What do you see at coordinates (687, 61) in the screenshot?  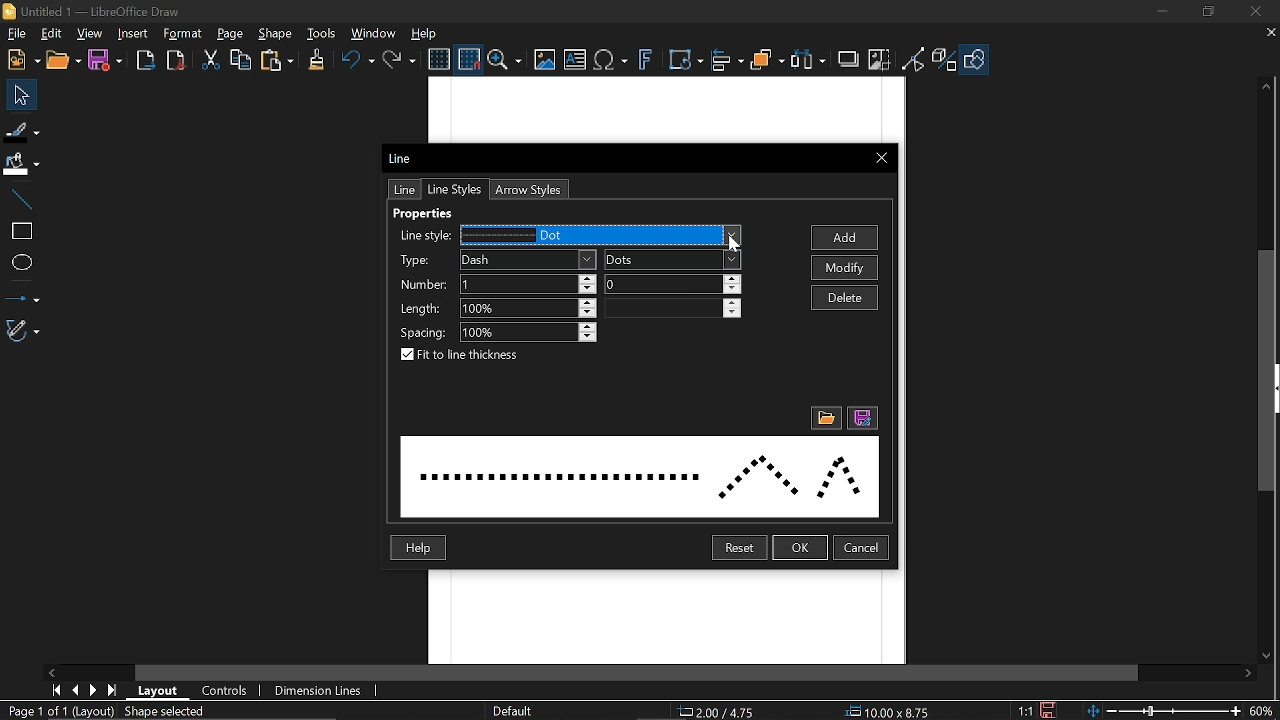 I see `Transformations` at bounding box center [687, 61].